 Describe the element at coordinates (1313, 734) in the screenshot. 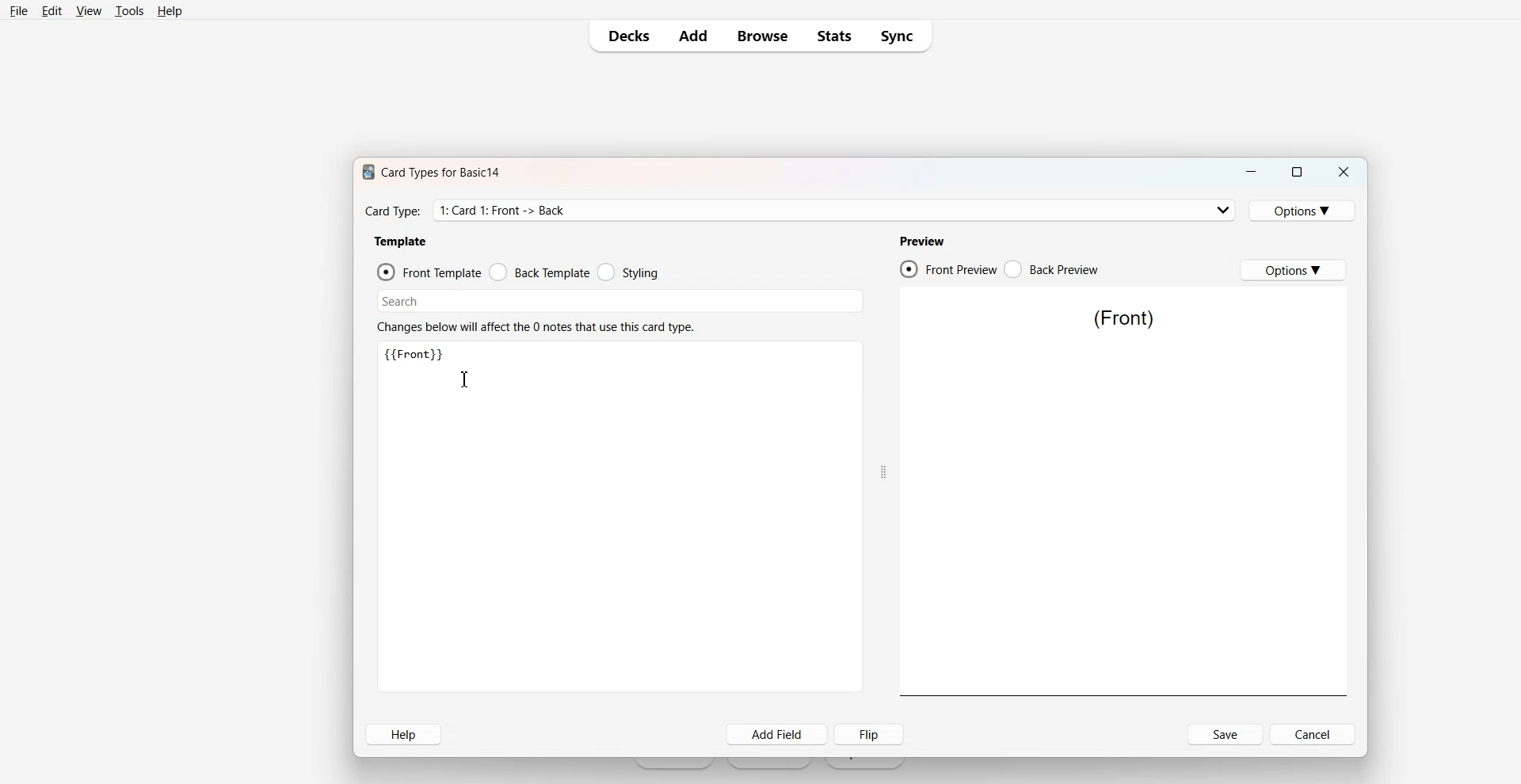

I see `Cancel` at that location.